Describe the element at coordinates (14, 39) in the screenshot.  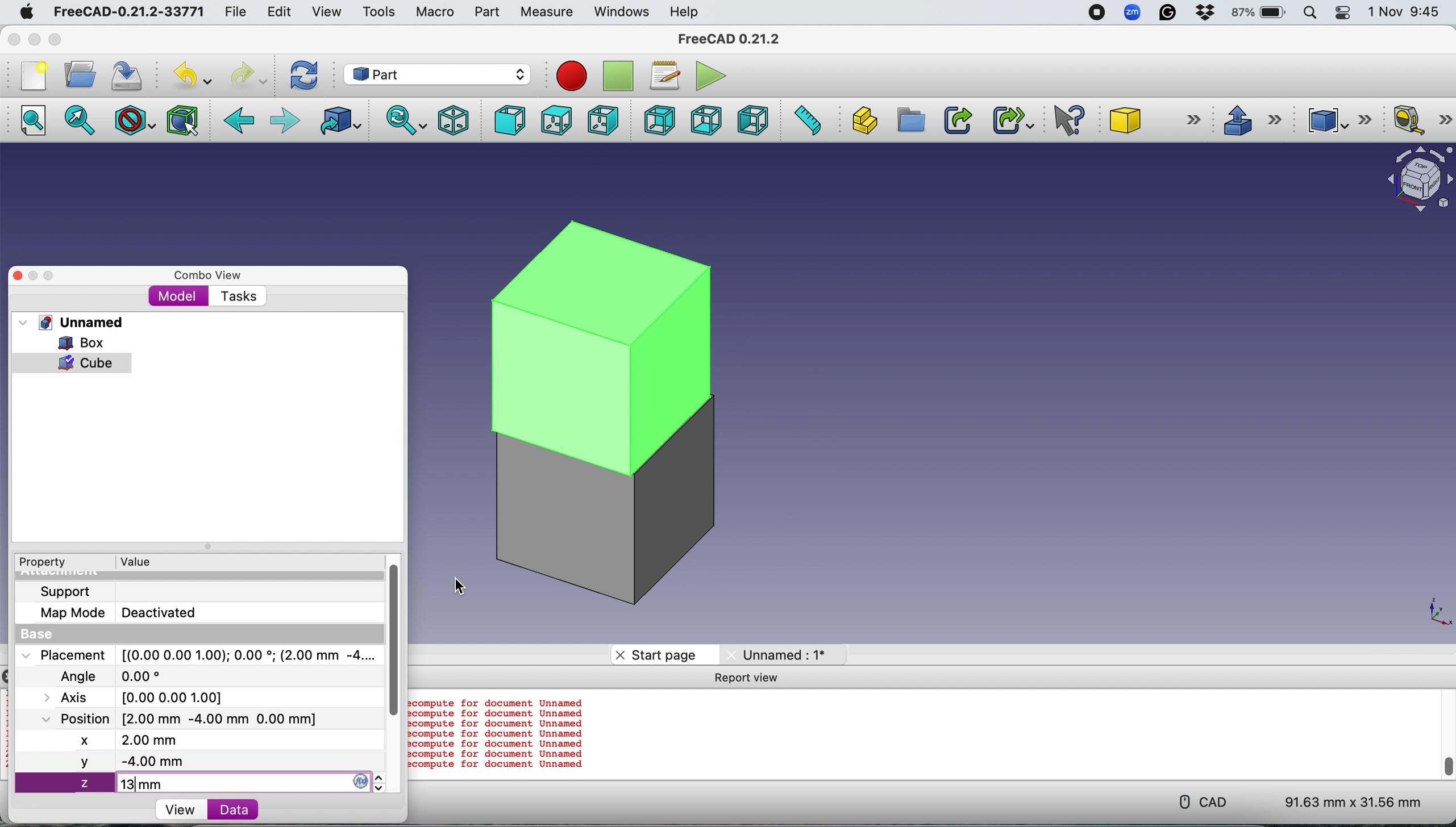
I see `Close` at that location.